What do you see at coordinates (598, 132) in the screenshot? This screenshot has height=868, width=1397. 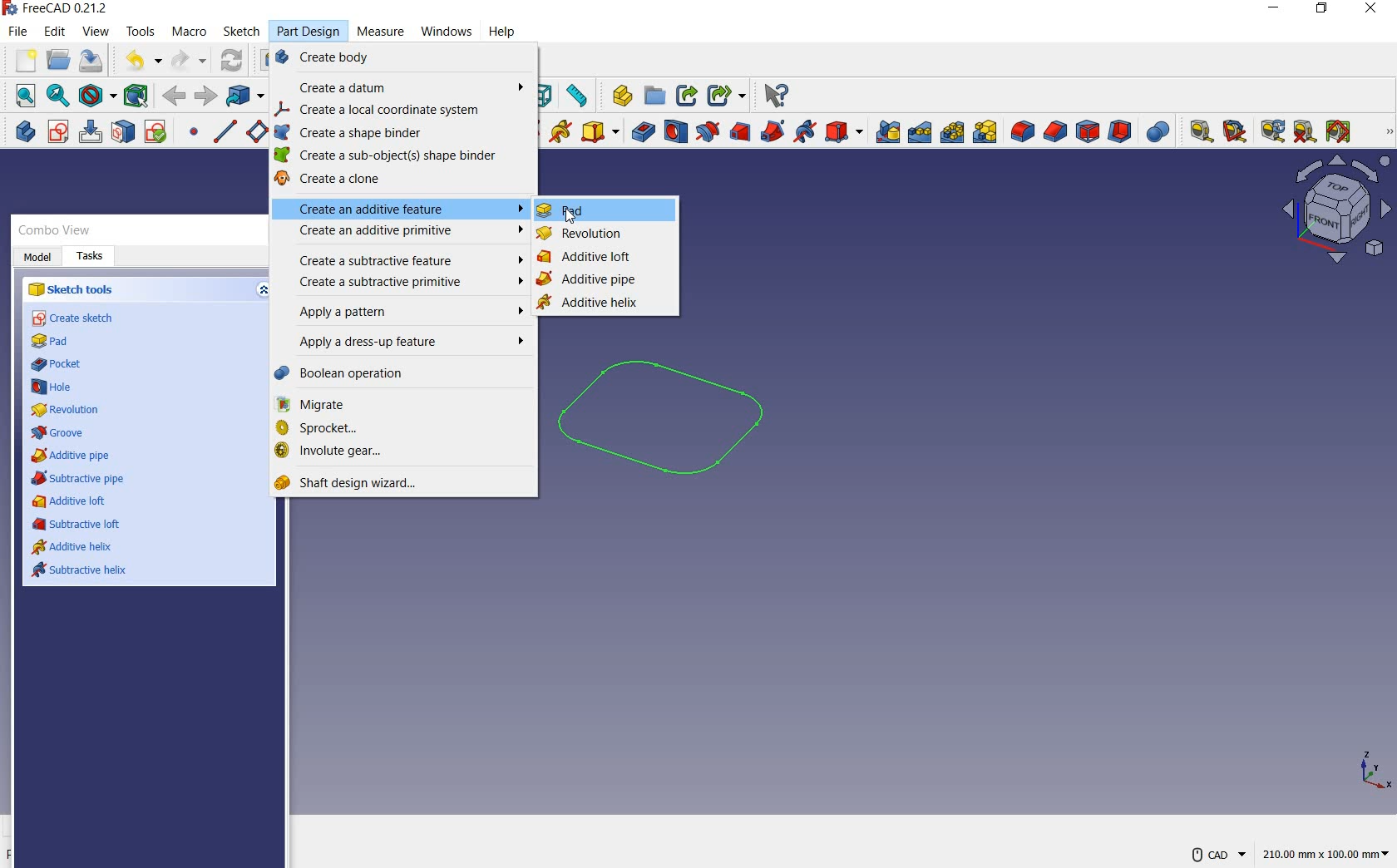 I see `create an additive primitive` at bounding box center [598, 132].